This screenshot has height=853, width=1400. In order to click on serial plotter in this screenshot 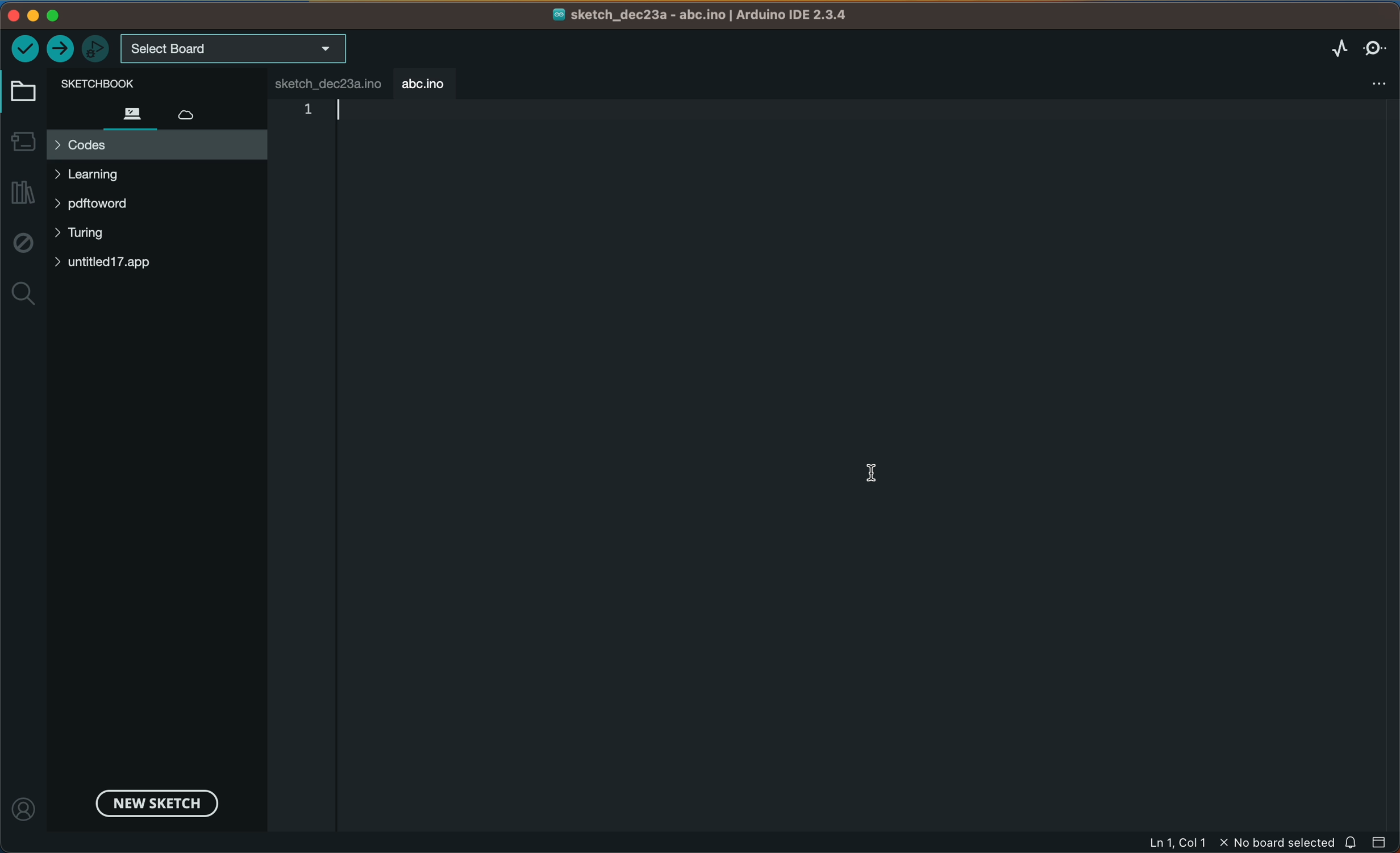, I will do `click(1326, 48)`.